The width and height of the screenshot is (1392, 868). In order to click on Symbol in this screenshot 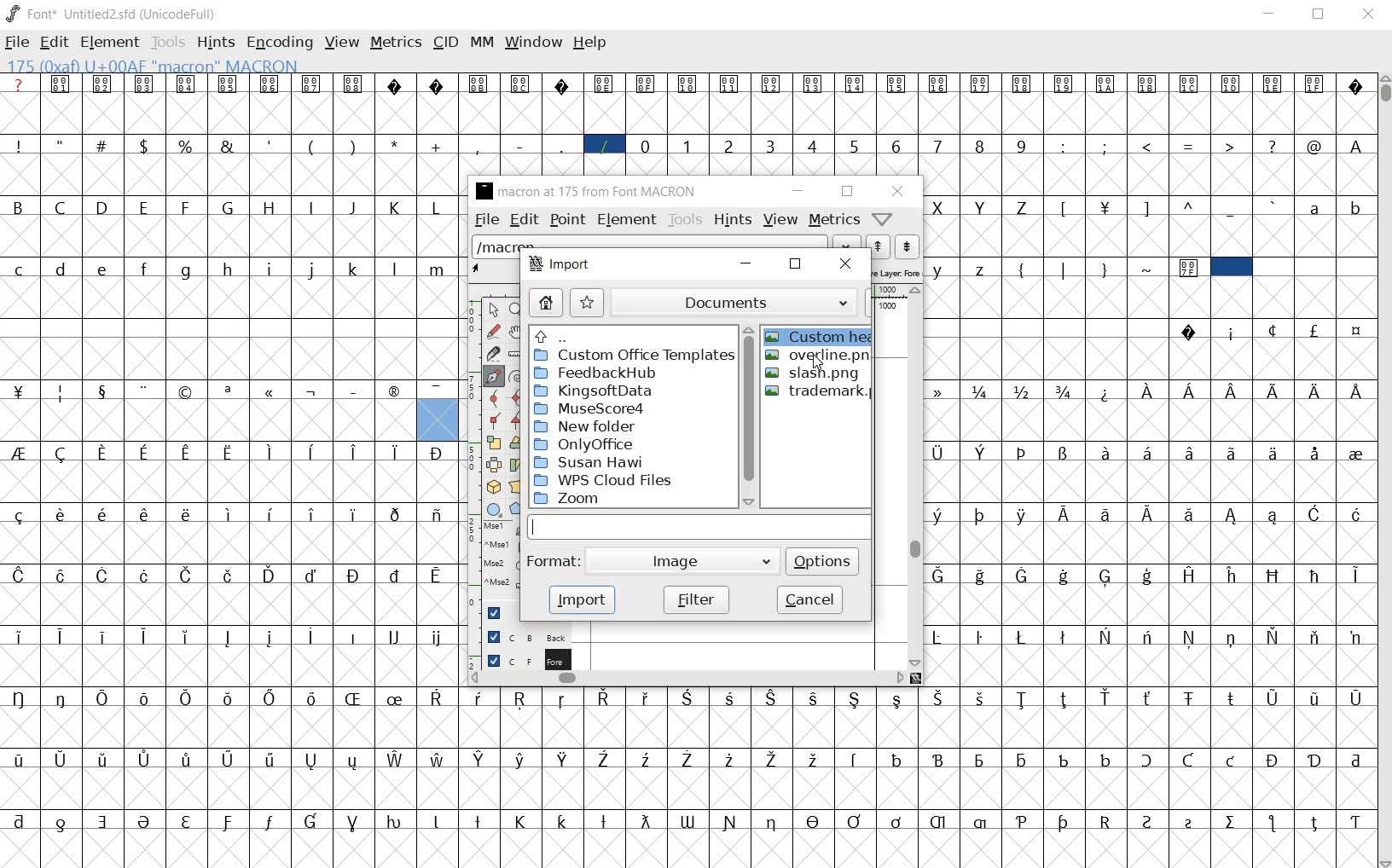, I will do `click(1065, 635)`.